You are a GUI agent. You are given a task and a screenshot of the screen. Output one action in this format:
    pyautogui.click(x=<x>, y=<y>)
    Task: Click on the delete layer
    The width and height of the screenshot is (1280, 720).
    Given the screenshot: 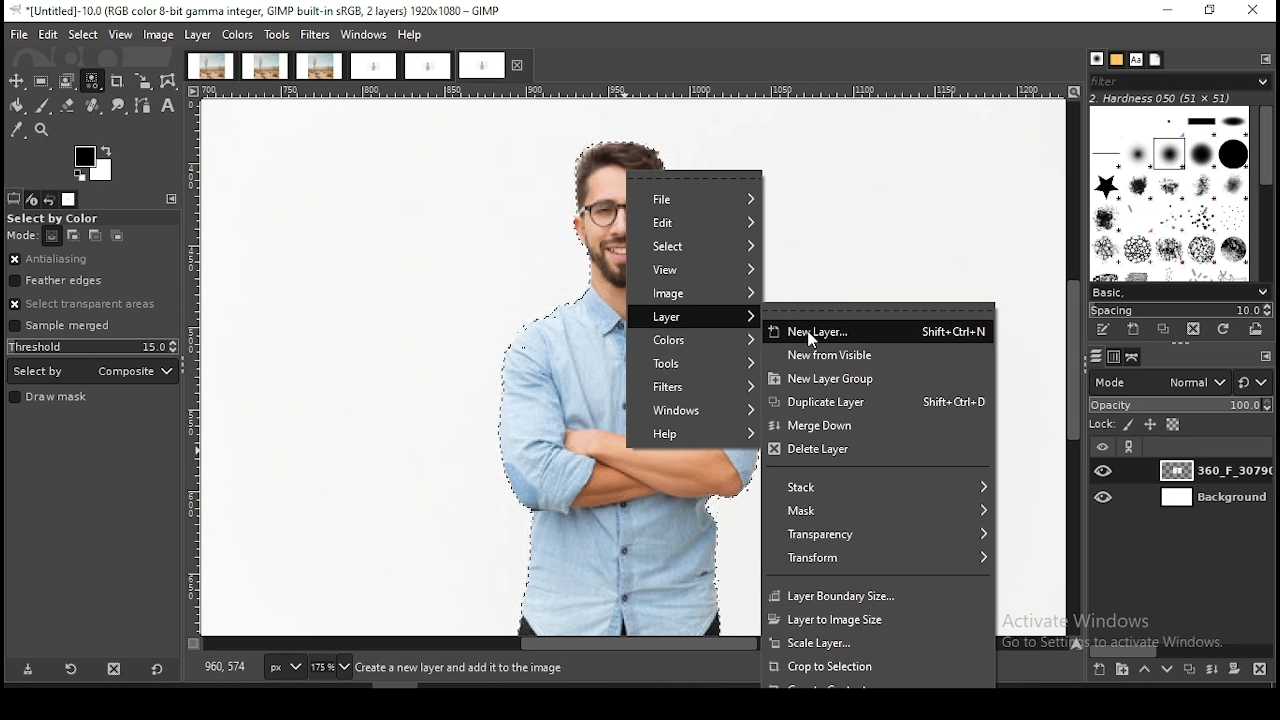 What is the action you would take?
    pyautogui.click(x=1263, y=671)
    